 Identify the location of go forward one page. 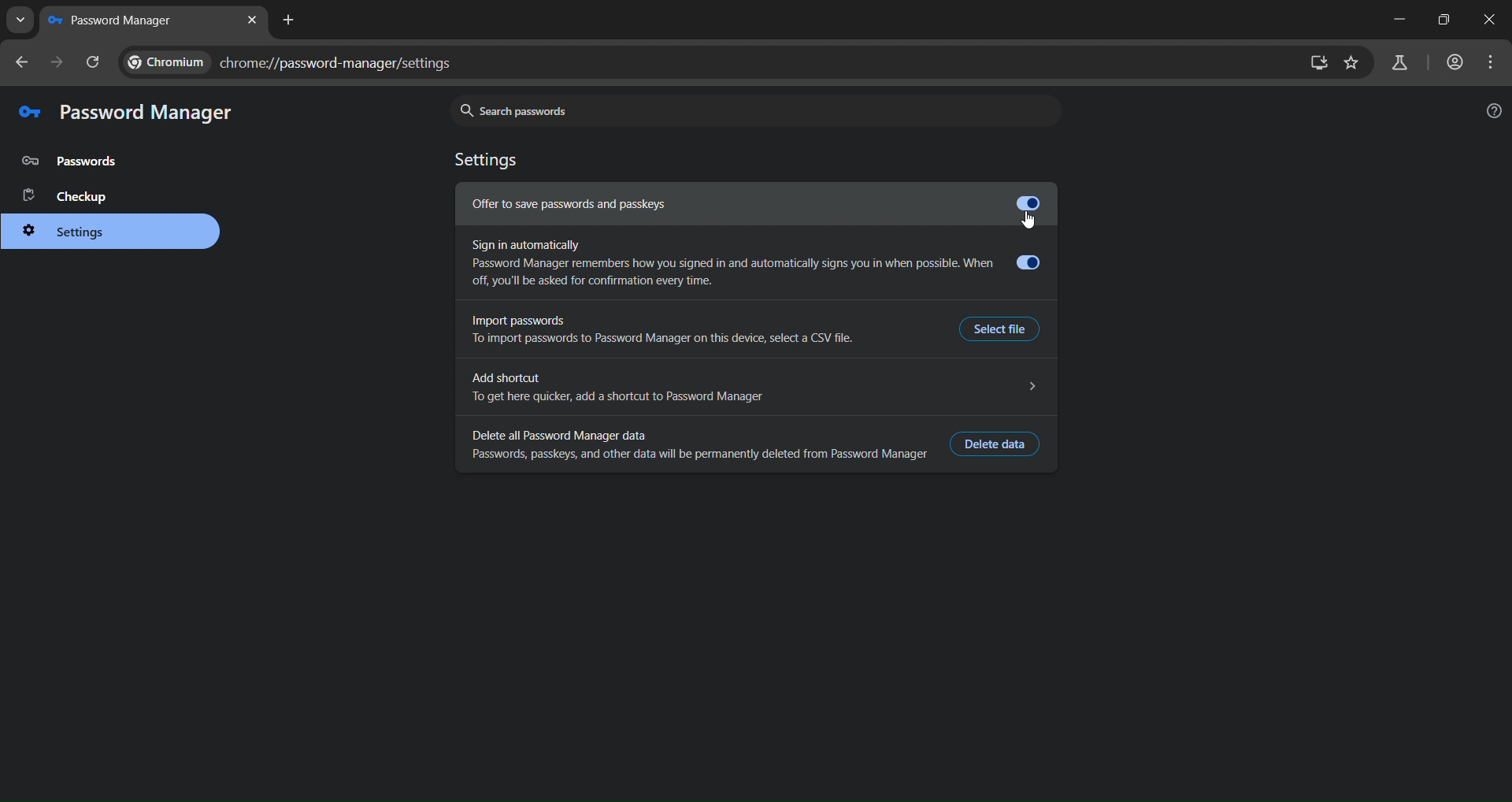
(56, 64).